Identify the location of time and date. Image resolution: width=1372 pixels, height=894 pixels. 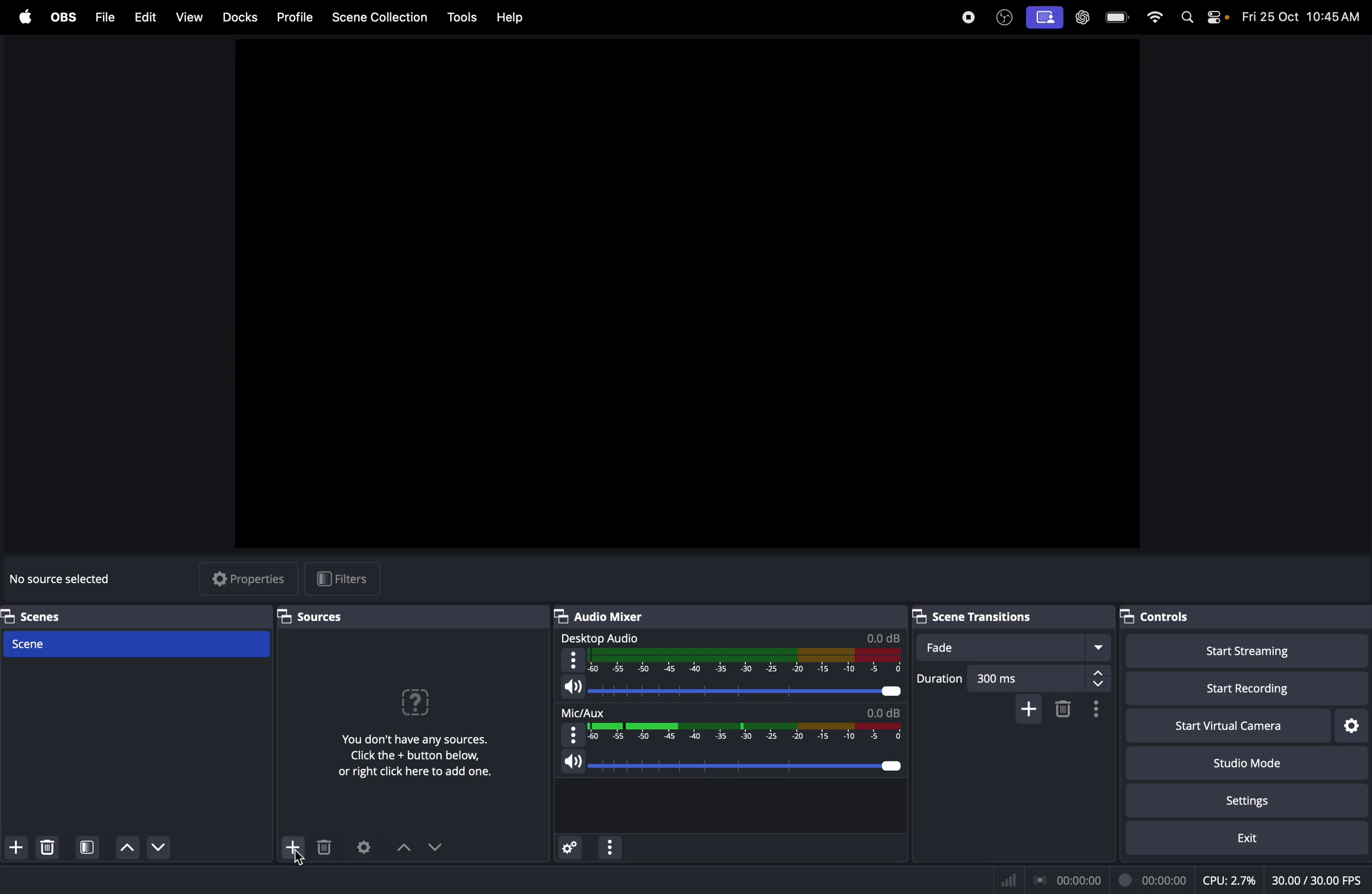
(1302, 14).